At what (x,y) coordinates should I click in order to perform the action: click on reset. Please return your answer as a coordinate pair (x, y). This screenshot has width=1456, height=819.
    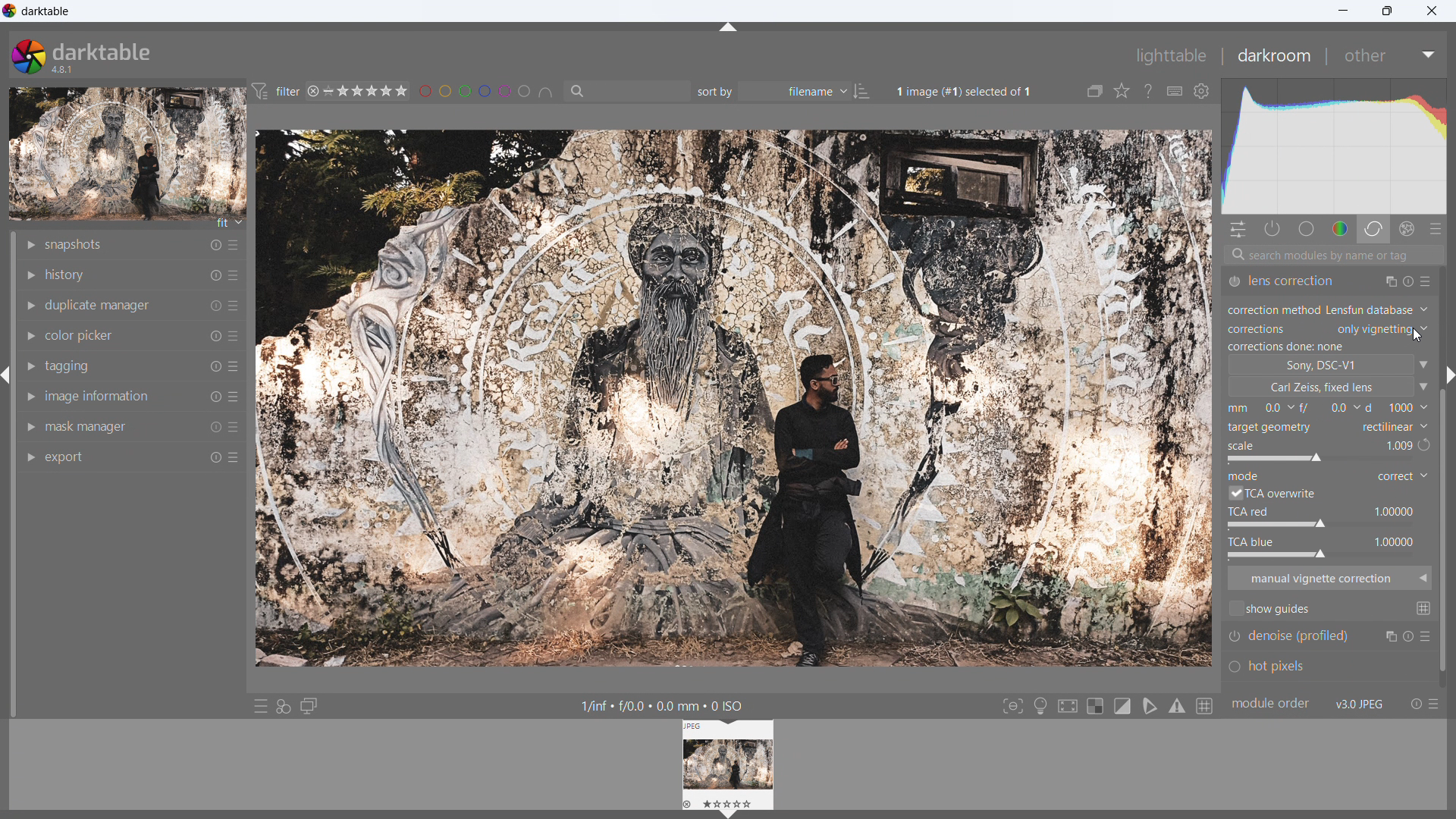
    Looking at the image, I should click on (210, 336).